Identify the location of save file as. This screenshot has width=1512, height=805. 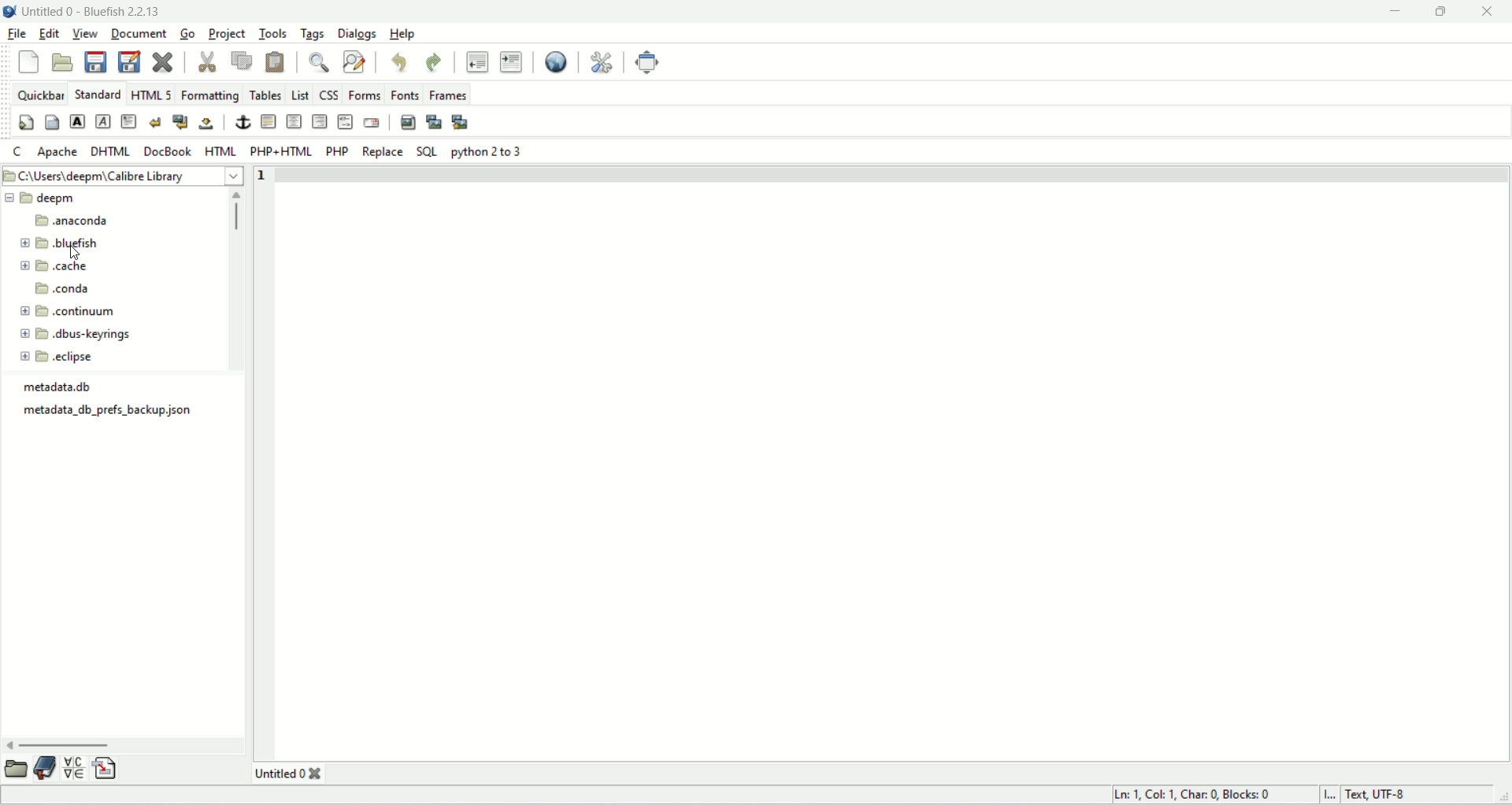
(129, 62).